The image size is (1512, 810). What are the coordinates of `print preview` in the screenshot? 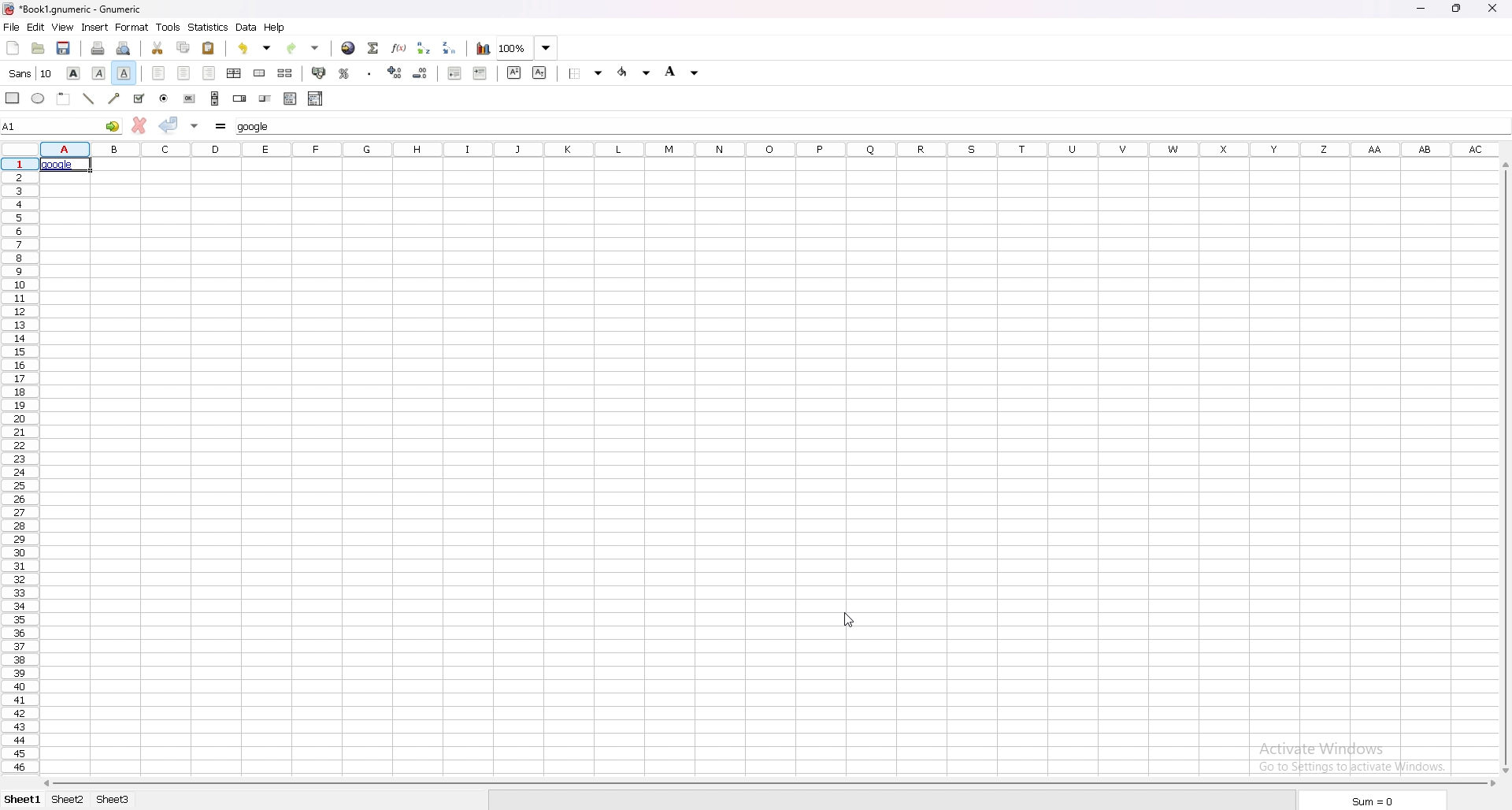 It's located at (125, 48).